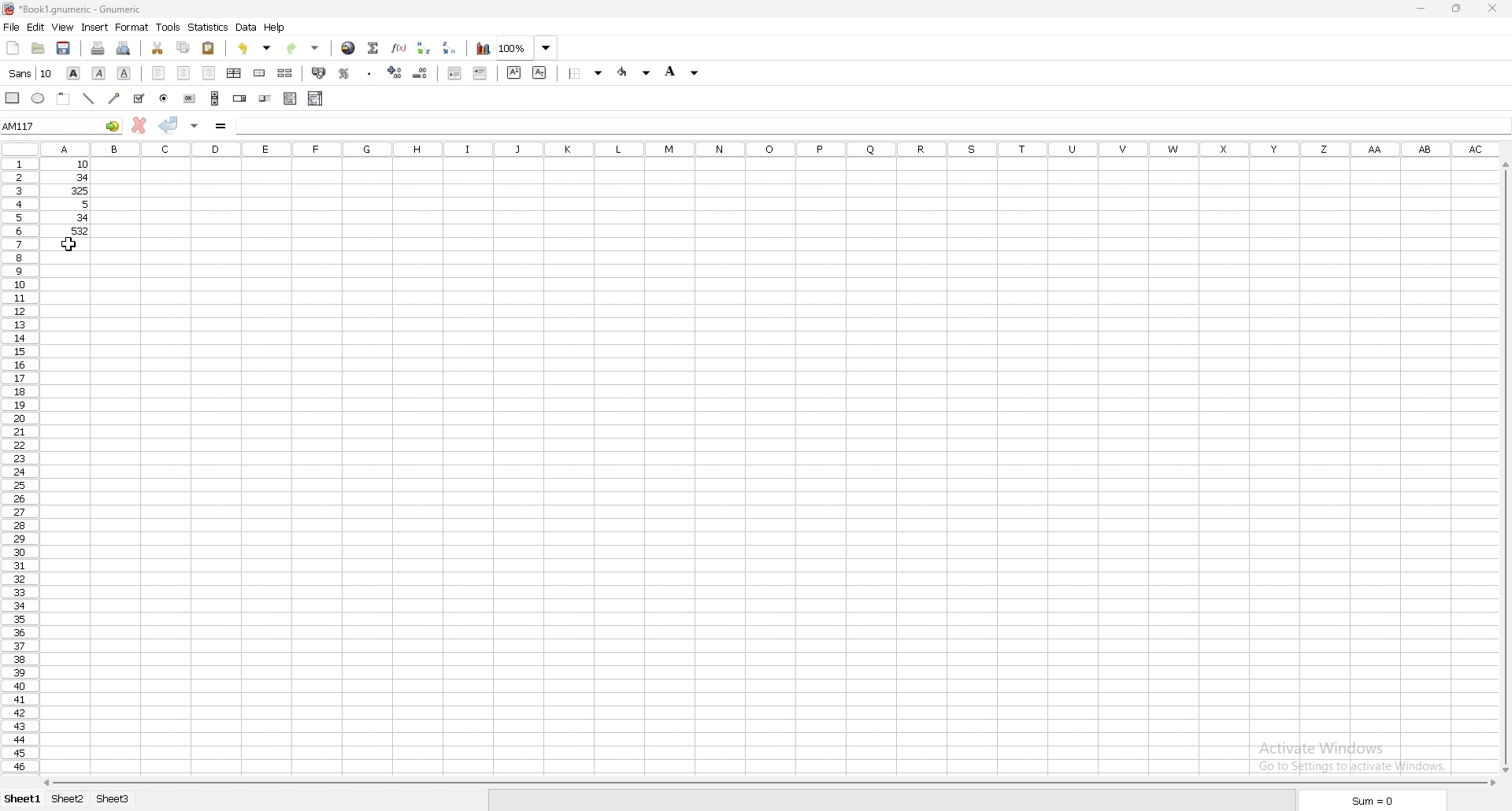 This screenshot has width=1512, height=811. What do you see at coordinates (74, 205) in the screenshot?
I see `5` at bounding box center [74, 205].